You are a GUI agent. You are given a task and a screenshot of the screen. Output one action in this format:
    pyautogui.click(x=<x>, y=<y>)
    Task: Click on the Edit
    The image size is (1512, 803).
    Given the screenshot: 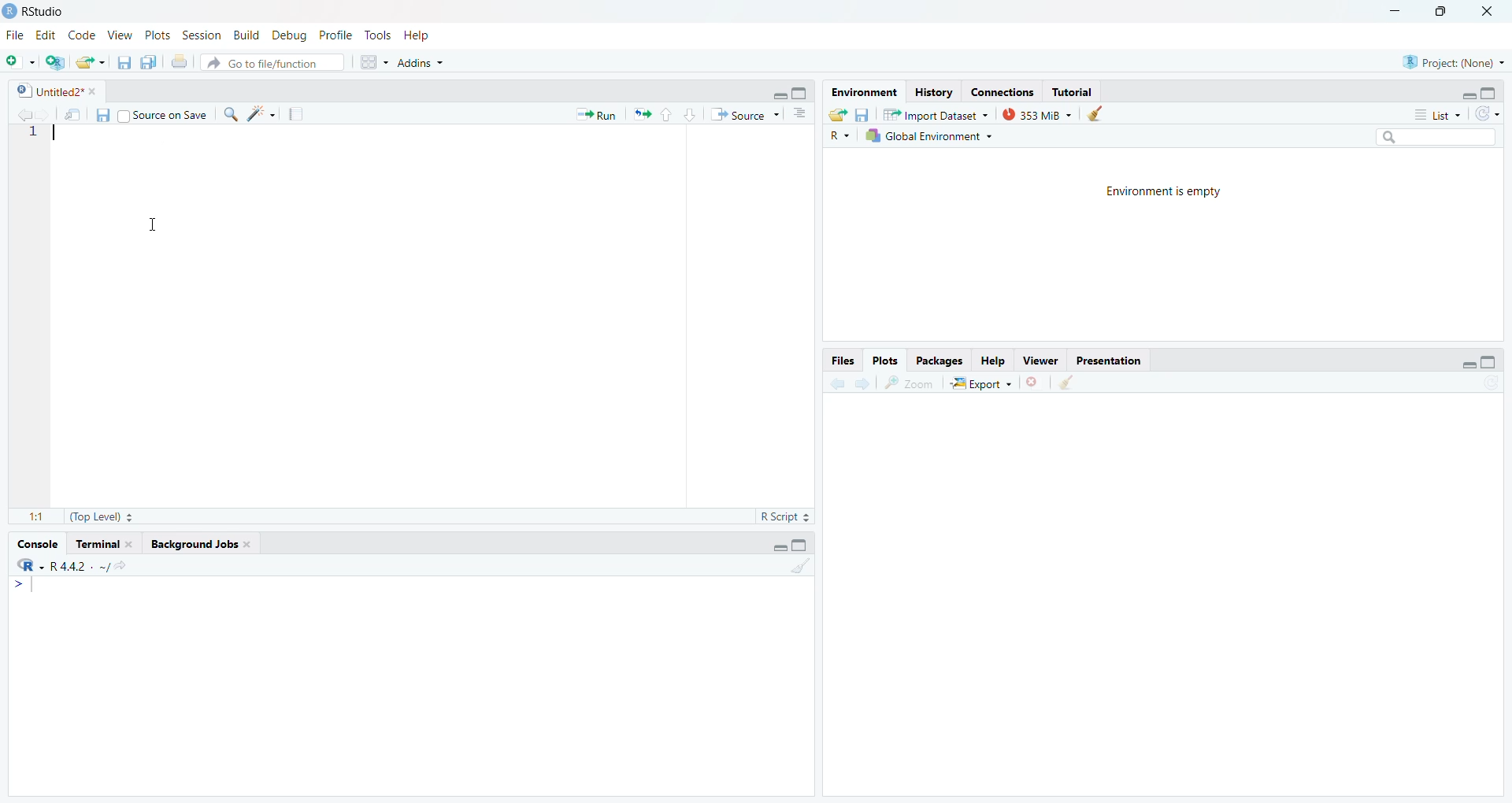 What is the action you would take?
    pyautogui.click(x=44, y=37)
    